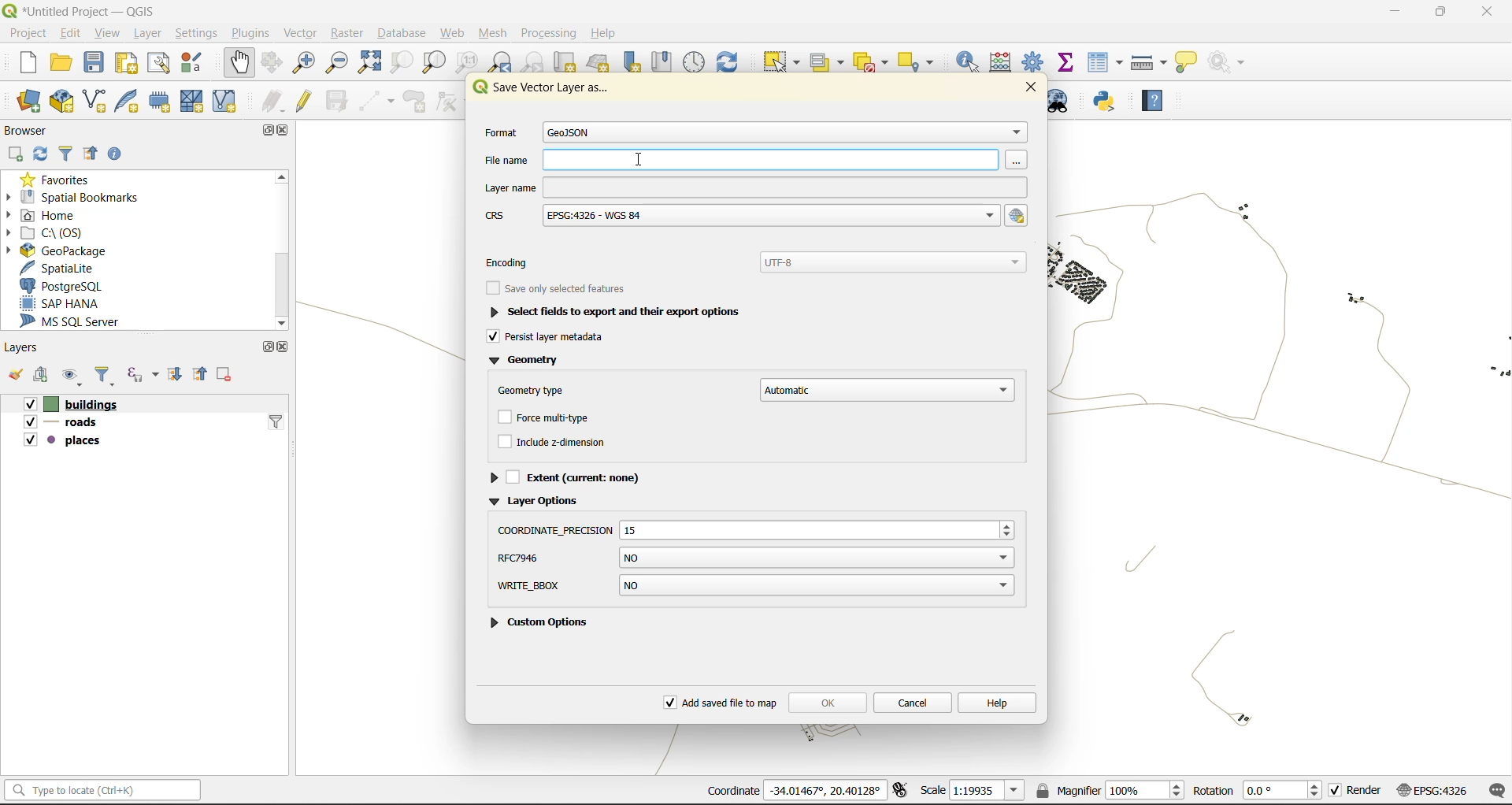  What do you see at coordinates (535, 503) in the screenshot?
I see `layer options` at bounding box center [535, 503].